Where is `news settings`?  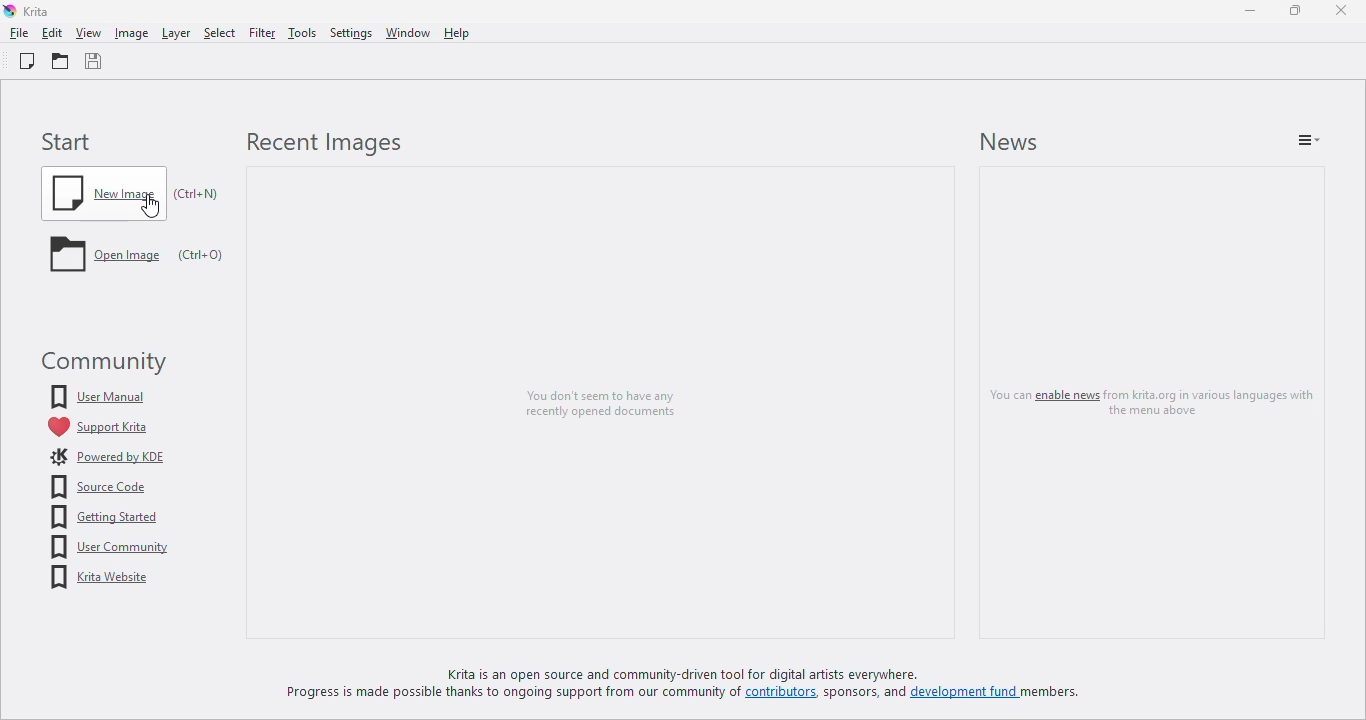
news settings is located at coordinates (1309, 139).